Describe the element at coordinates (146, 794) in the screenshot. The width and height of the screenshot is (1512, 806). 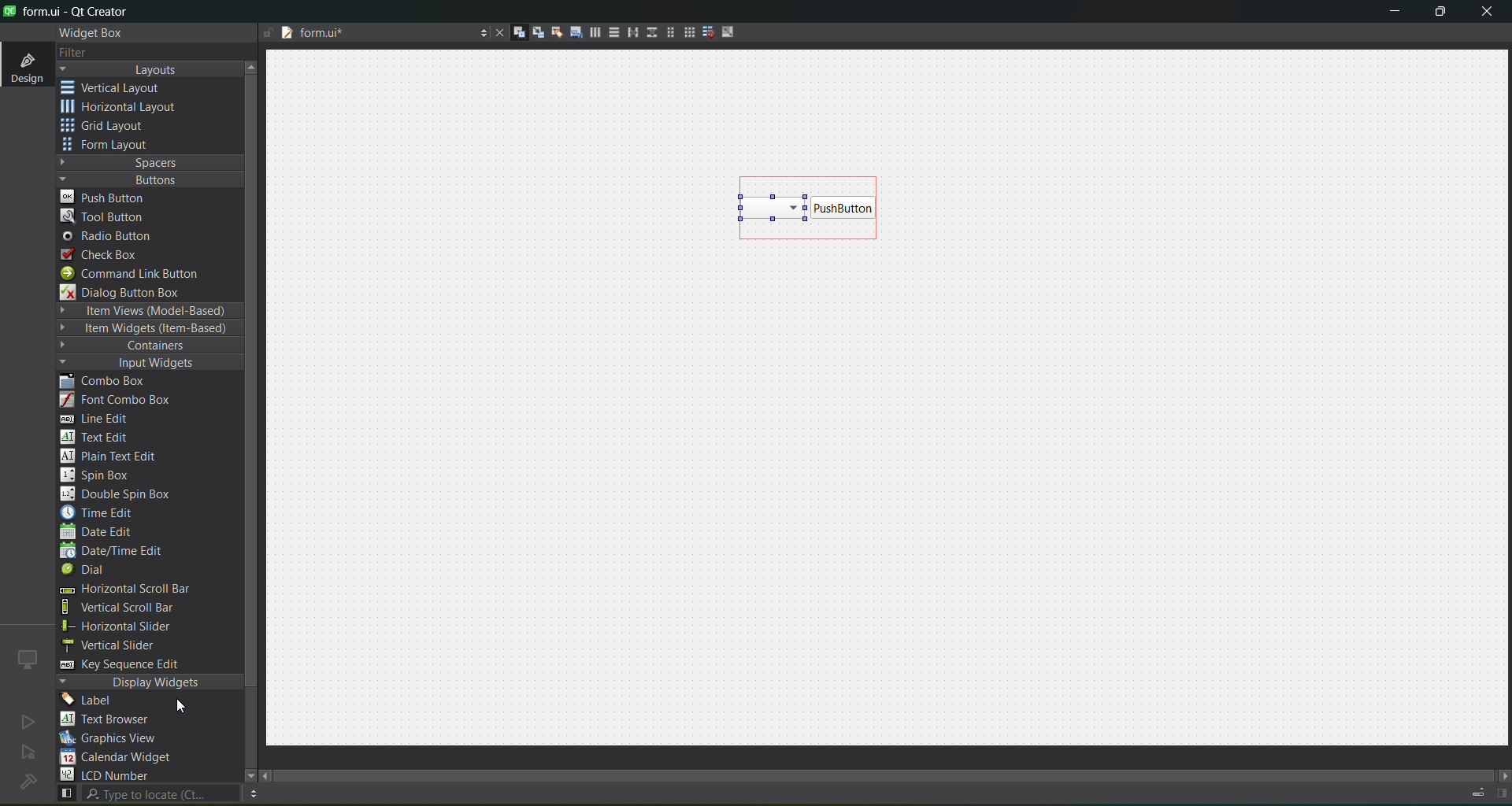
I see `search` at that location.